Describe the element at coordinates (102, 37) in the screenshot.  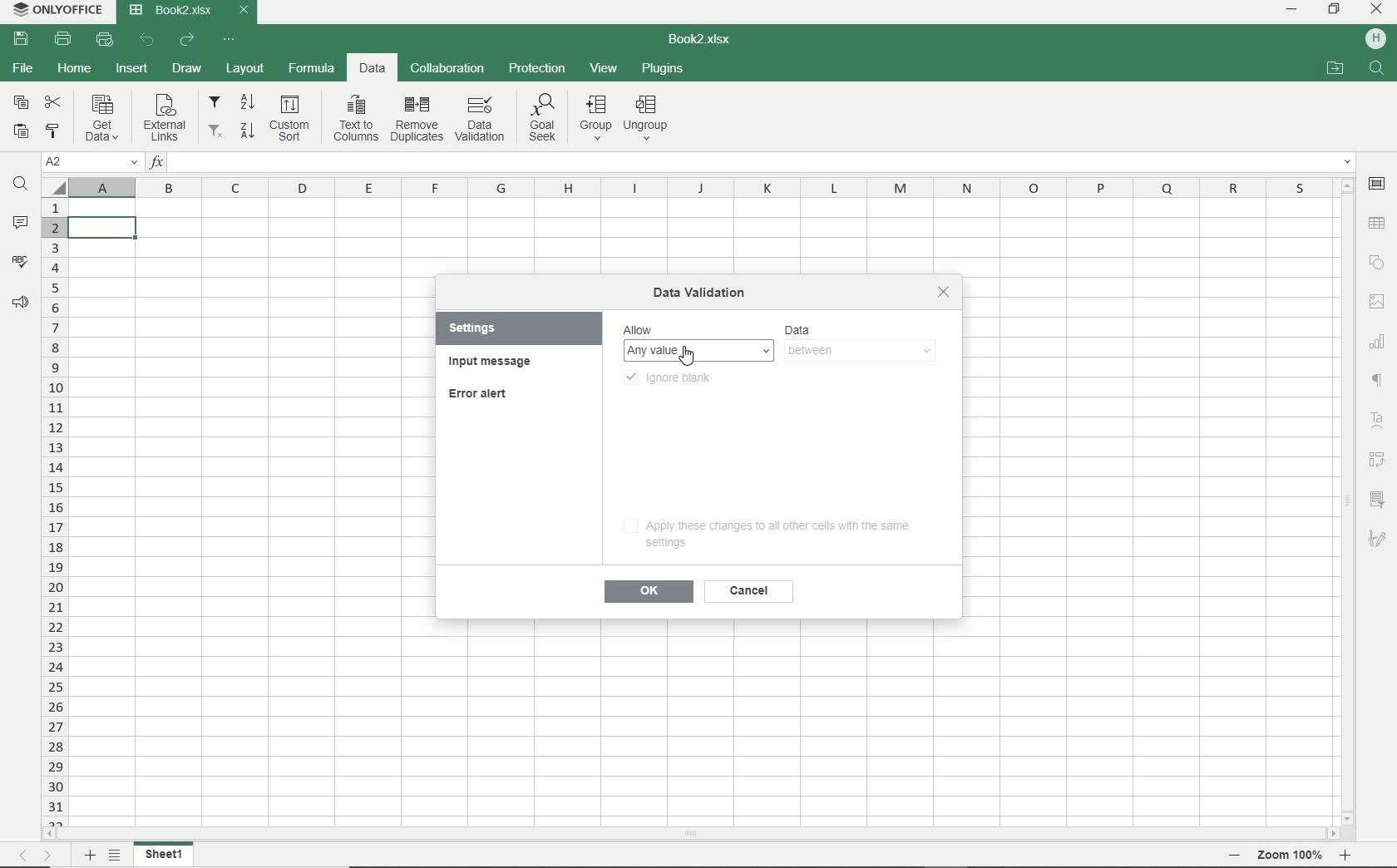
I see `QUICK PRINT` at that location.